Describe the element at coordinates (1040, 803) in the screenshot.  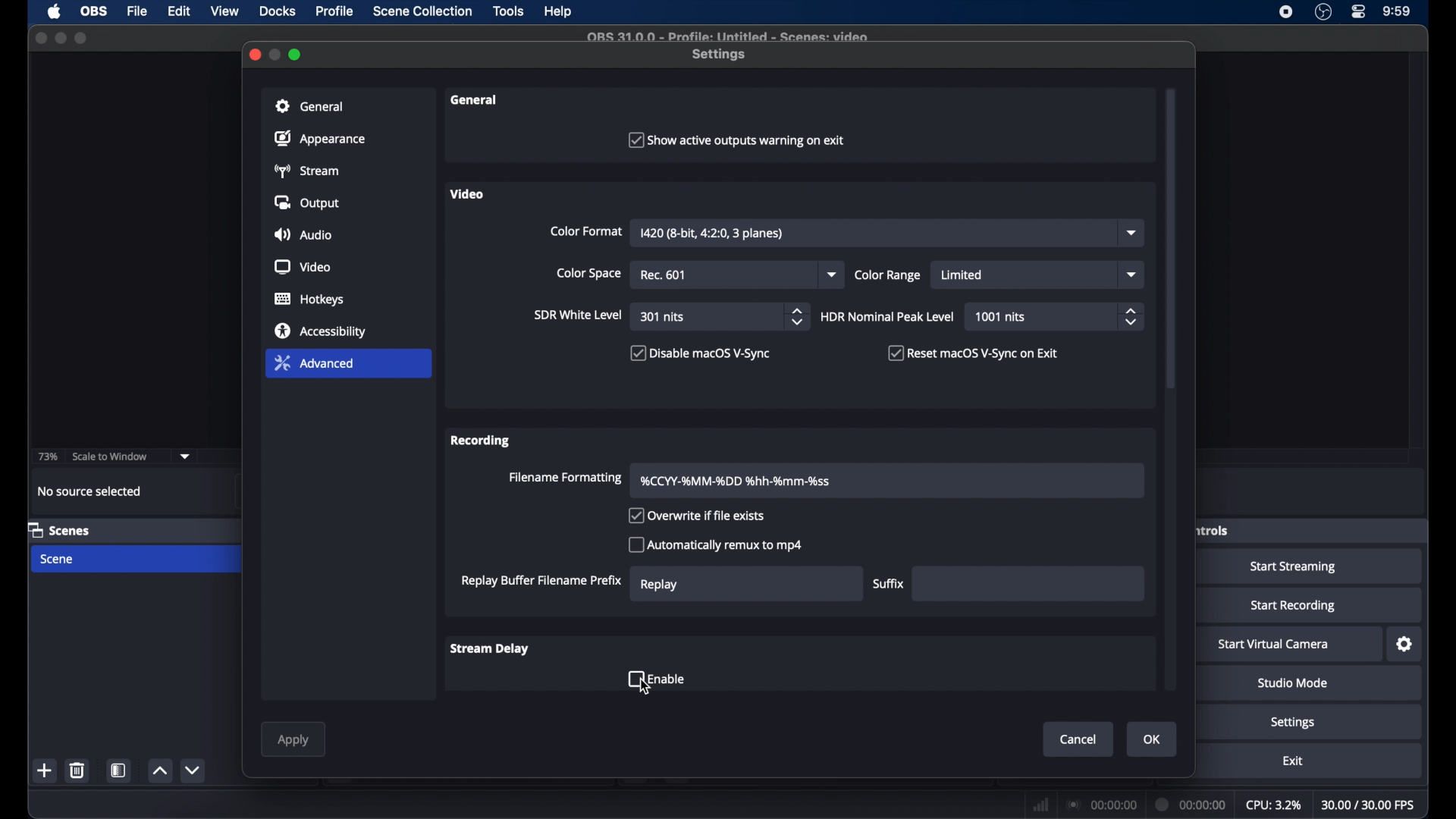
I see `network` at that location.